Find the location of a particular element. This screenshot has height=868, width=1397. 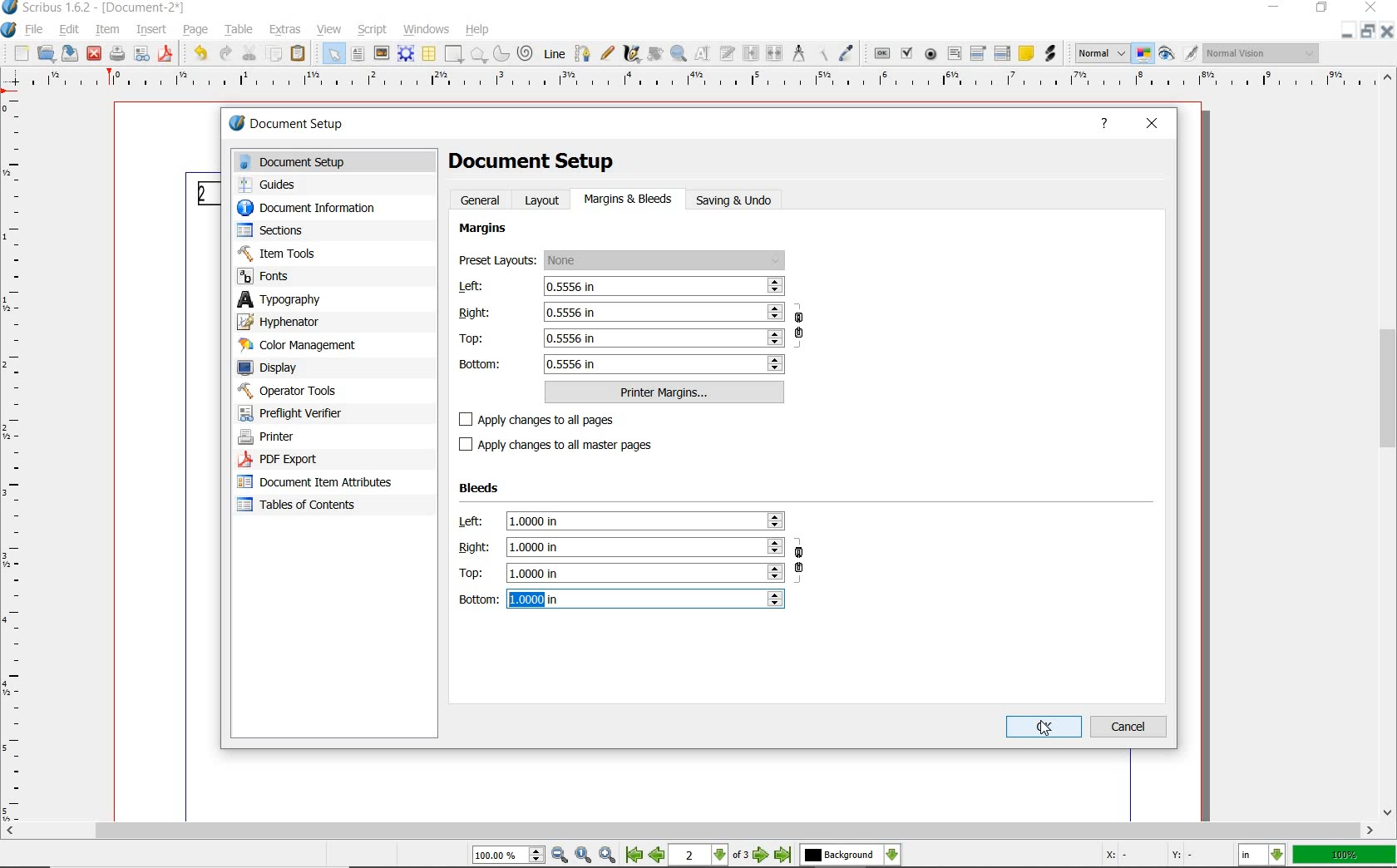

apply changes to all pages is located at coordinates (547, 421).